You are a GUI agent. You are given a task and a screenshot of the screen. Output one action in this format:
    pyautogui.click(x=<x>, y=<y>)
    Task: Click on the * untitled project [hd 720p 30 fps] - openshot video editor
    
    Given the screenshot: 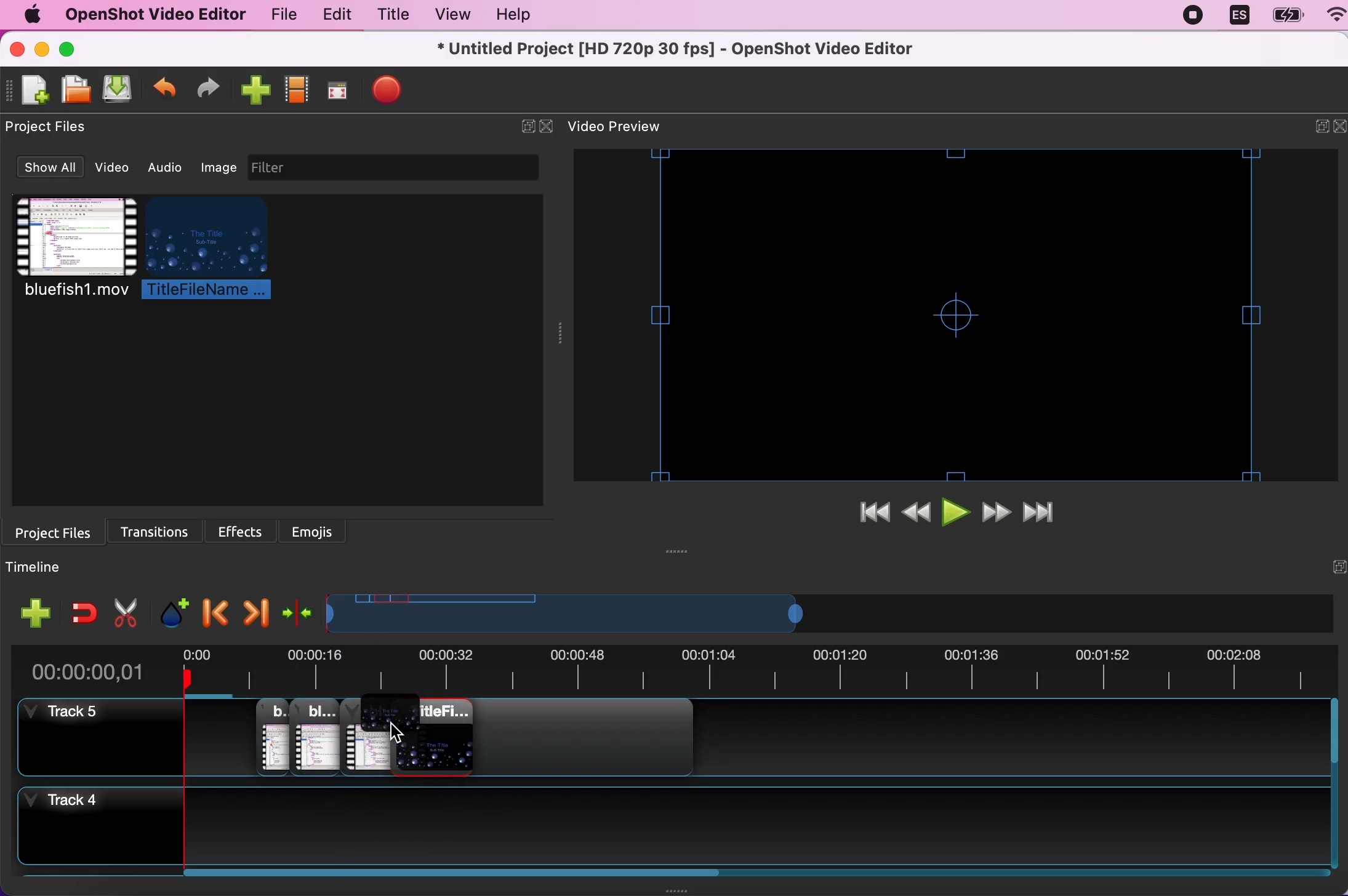 What is the action you would take?
    pyautogui.click(x=706, y=49)
    